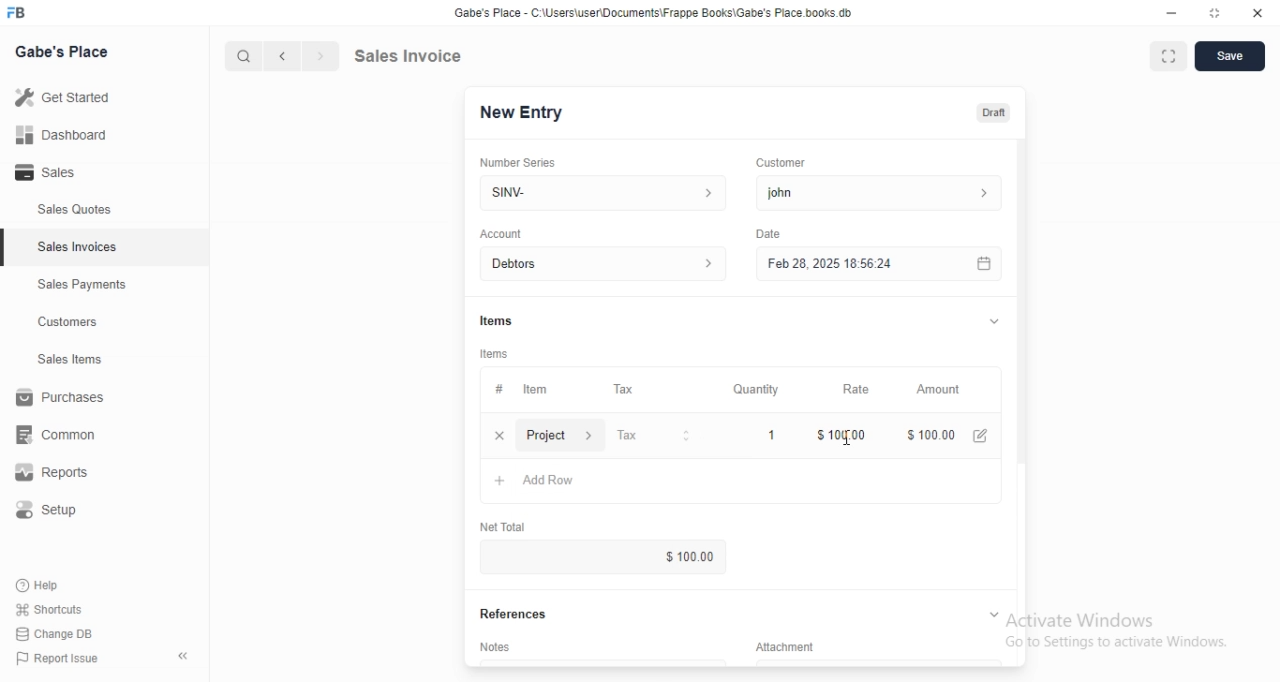 The height and width of the screenshot is (682, 1280). What do you see at coordinates (562, 437) in the screenshot?
I see `Project` at bounding box center [562, 437].